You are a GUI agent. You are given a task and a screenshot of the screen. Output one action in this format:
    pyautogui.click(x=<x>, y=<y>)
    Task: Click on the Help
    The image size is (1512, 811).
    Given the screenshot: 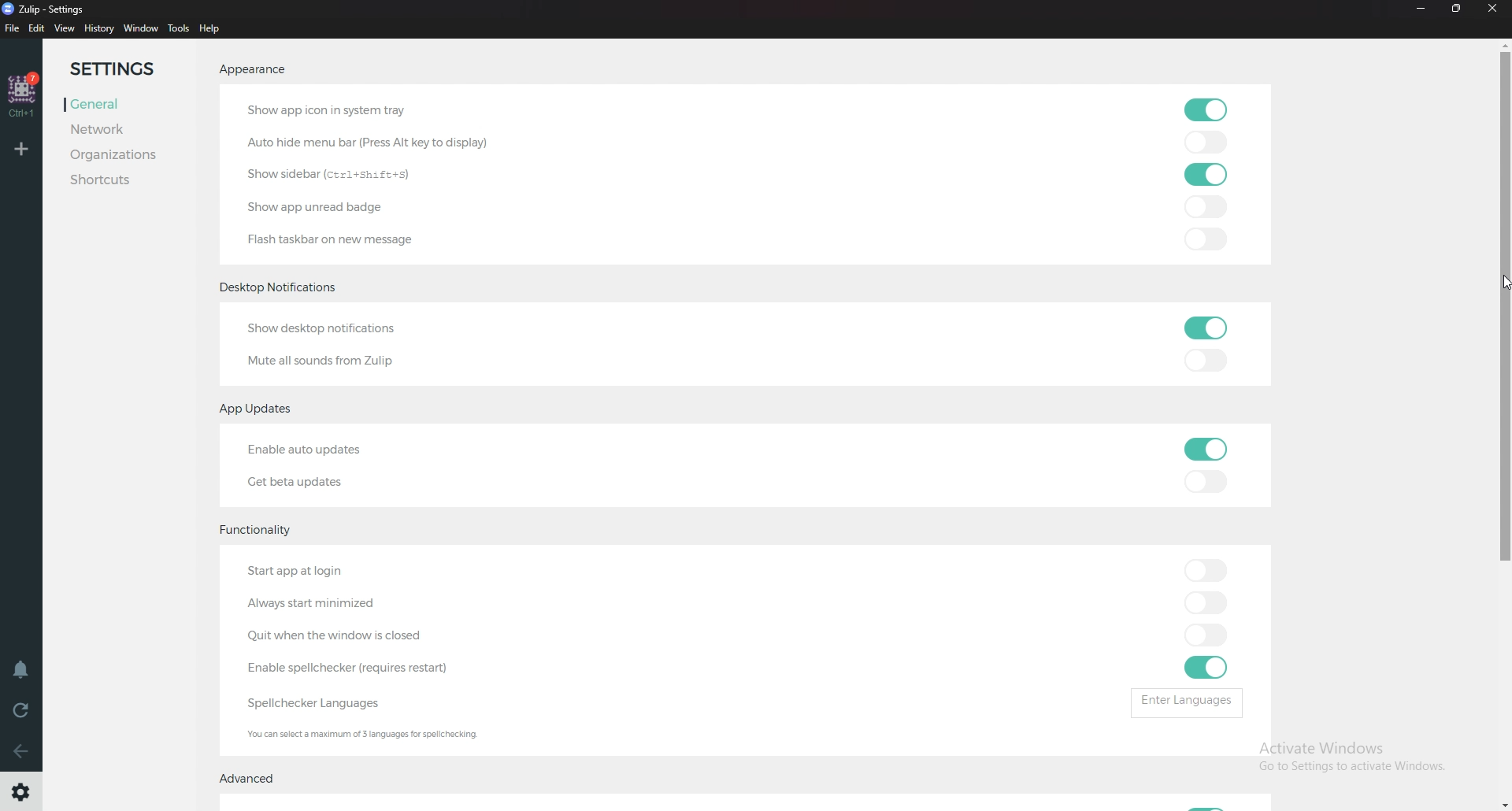 What is the action you would take?
    pyautogui.click(x=212, y=28)
    